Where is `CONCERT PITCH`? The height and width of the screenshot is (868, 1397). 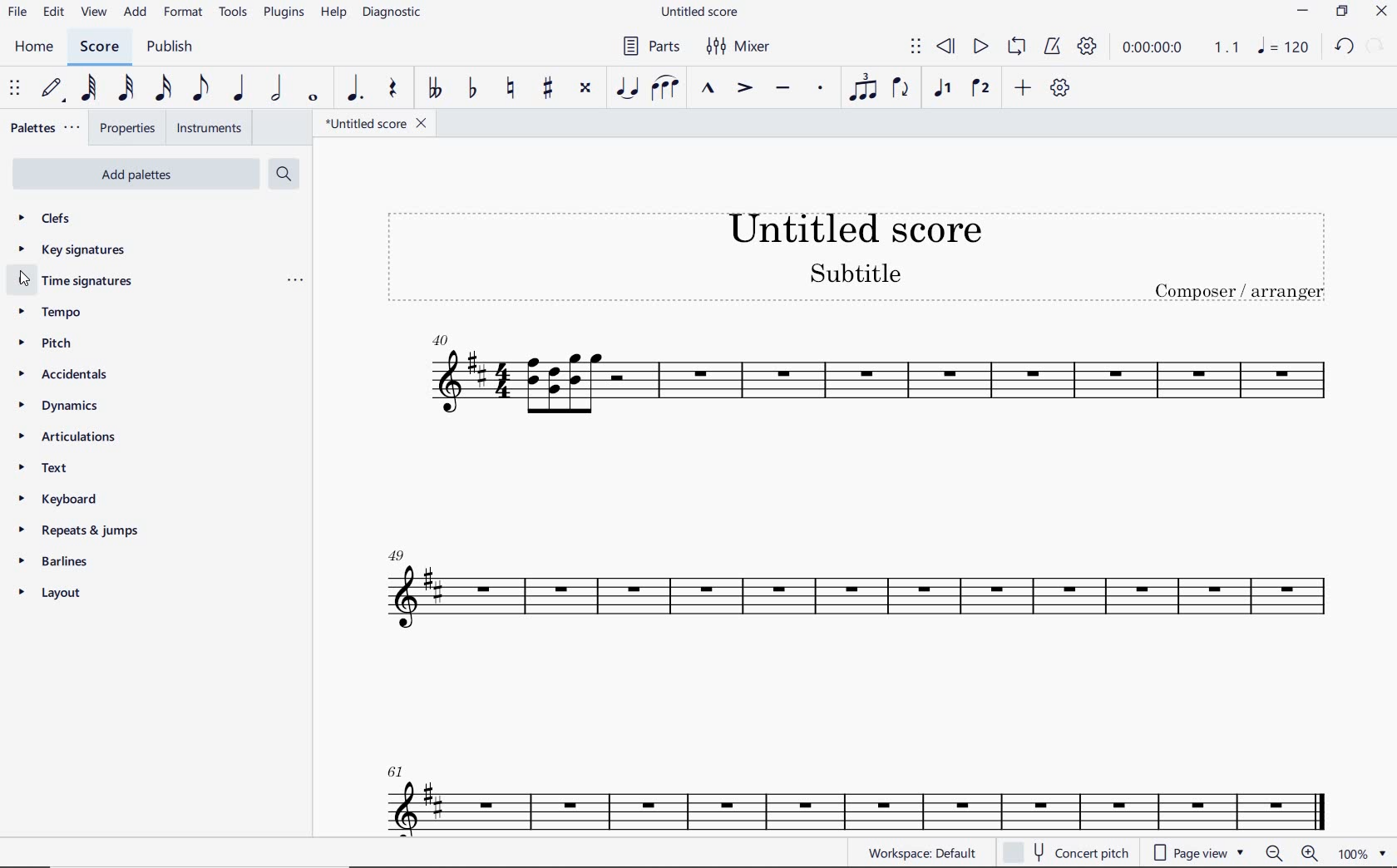 CONCERT PITCH is located at coordinates (1065, 851).